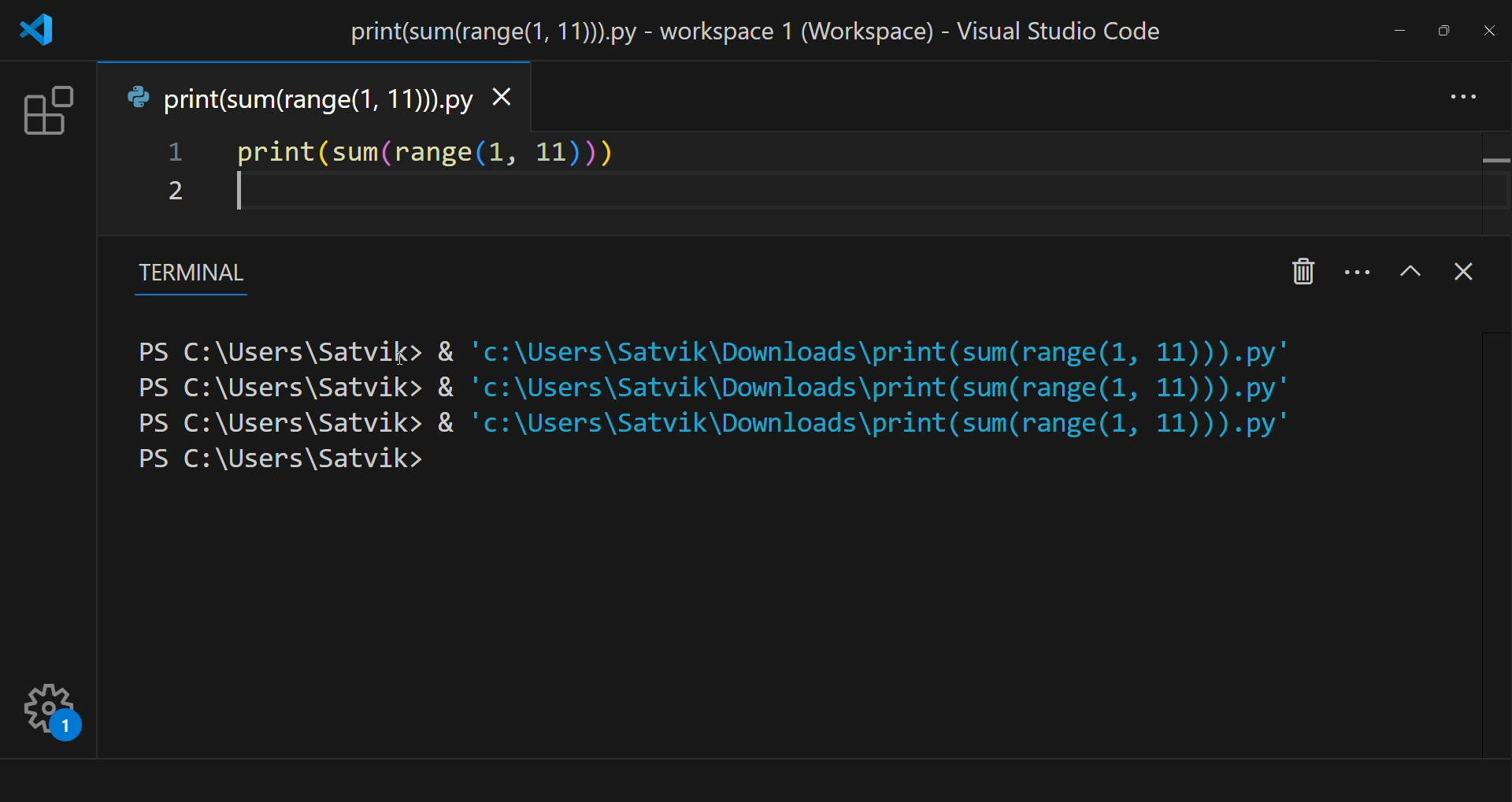 The image size is (1512, 802). Describe the element at coordinates (757, 30) in the screenshot. I see `title` at that location.